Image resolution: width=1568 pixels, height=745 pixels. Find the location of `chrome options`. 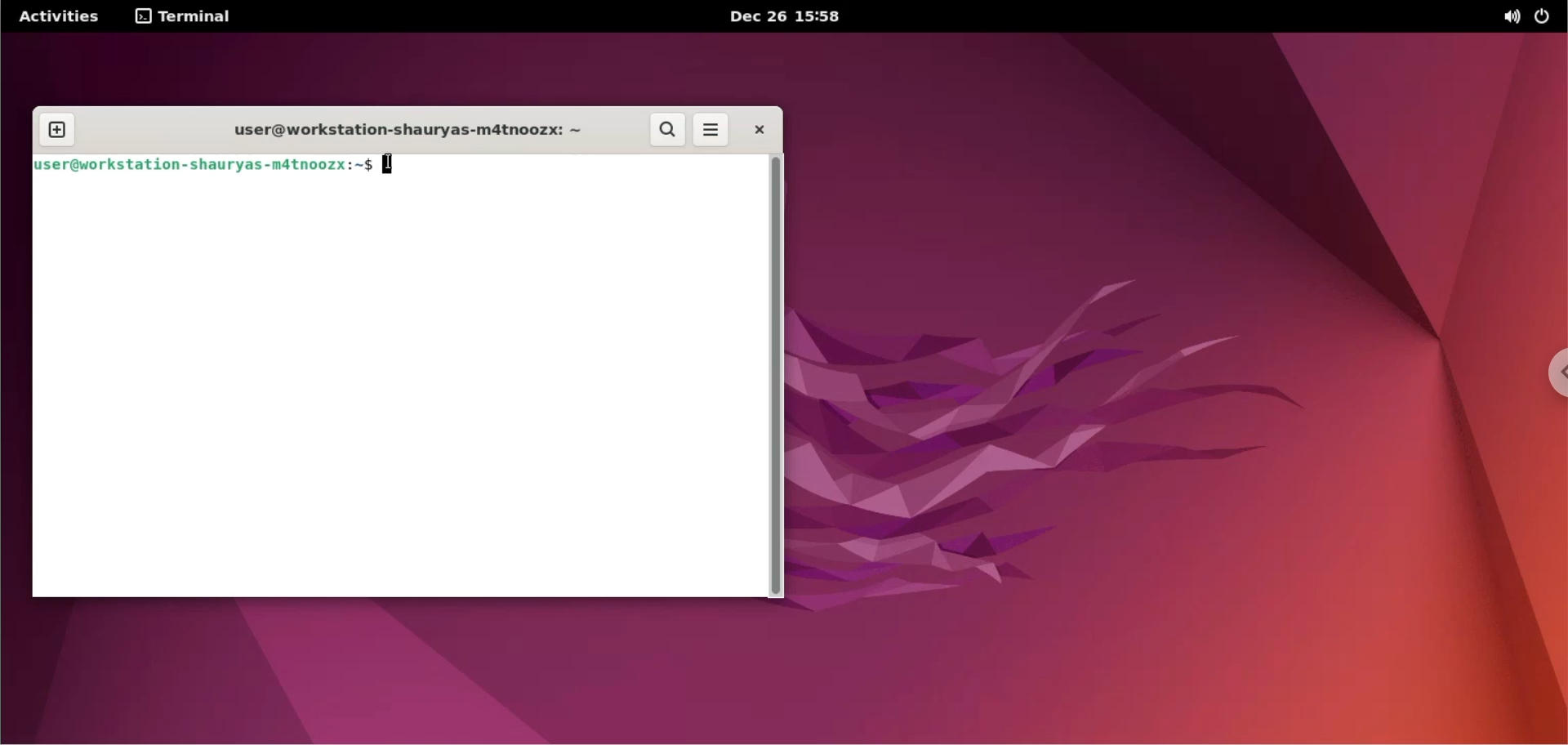

chrome options is located at coordinates (1548, 377).